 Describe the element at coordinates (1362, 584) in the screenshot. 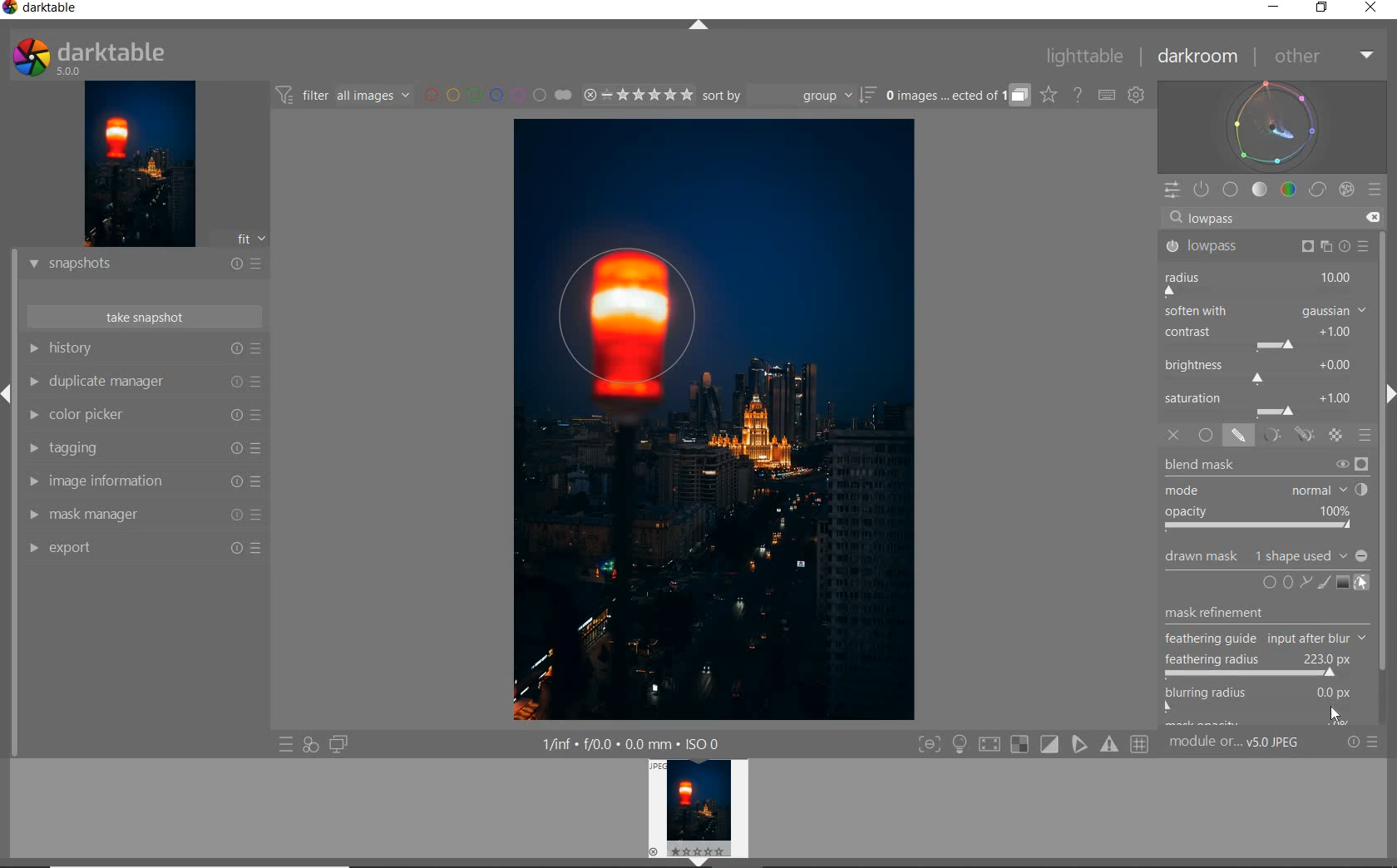

I see `SHOW & EDIT MASK ELEMENTS` at that location.